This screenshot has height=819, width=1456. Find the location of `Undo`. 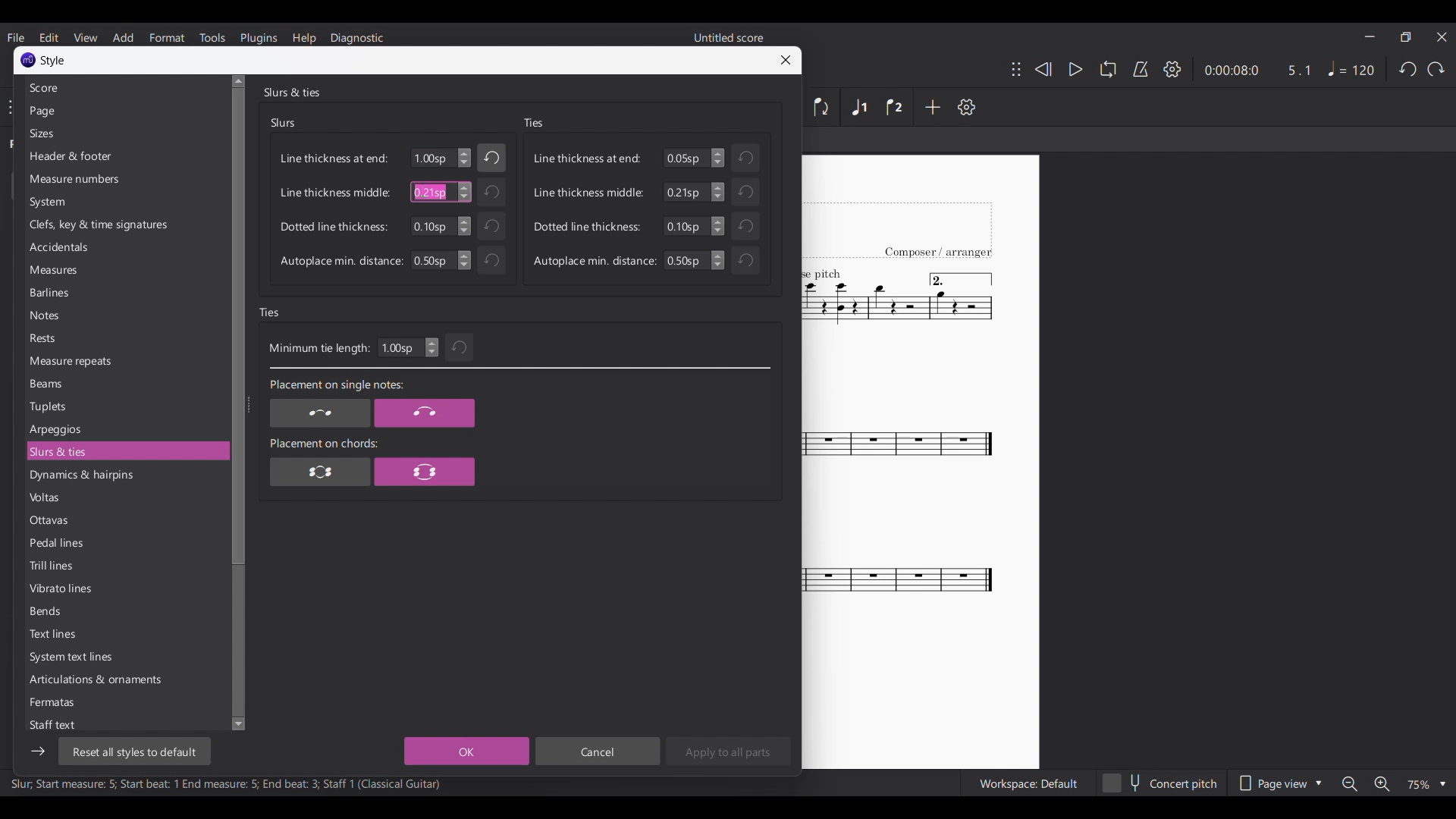

Undo is located at coordinates (492, 158).